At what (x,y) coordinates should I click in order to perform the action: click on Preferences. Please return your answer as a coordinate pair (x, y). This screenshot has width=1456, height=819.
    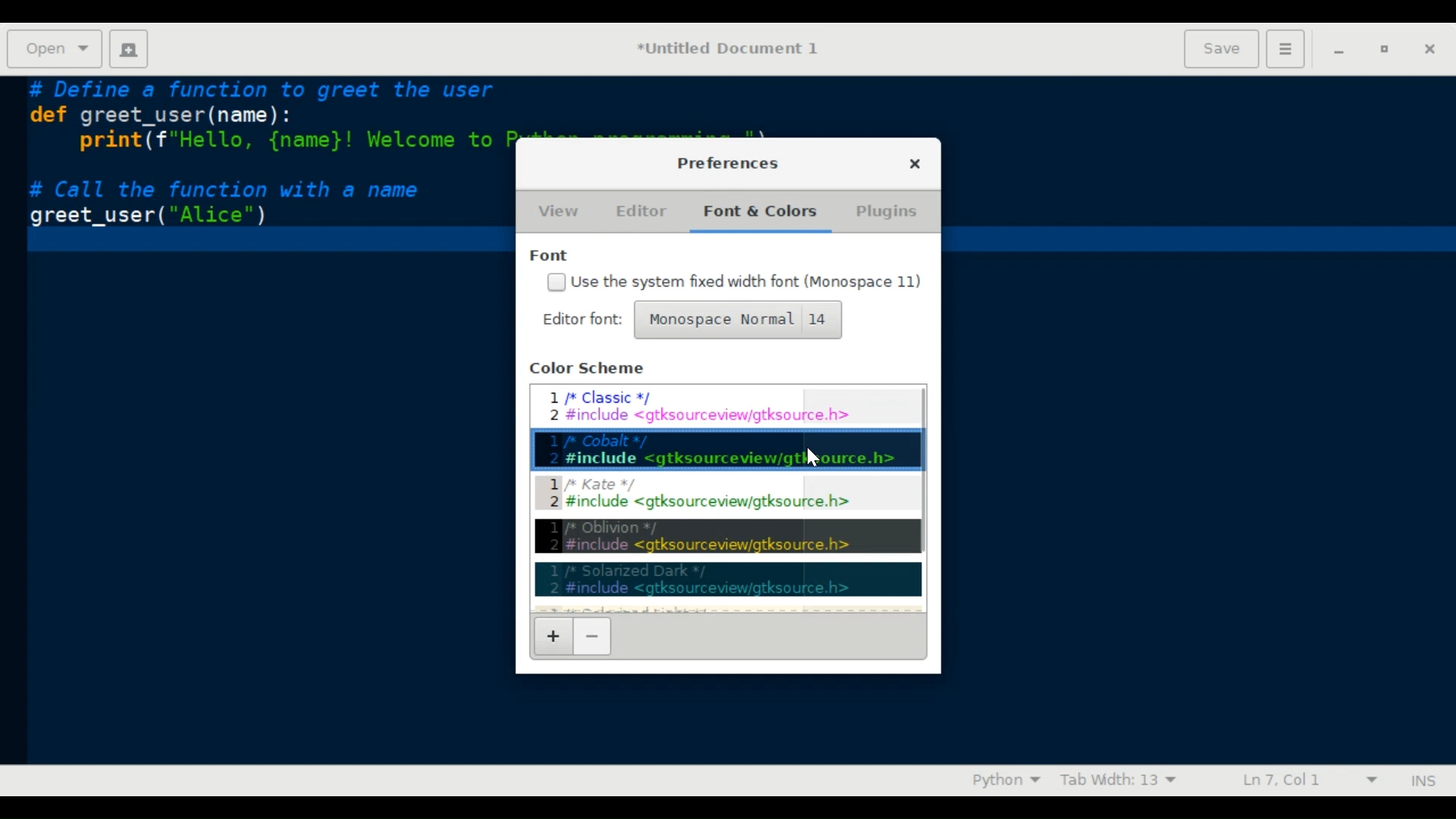
    Looking at the image, I should click on (730, 164).